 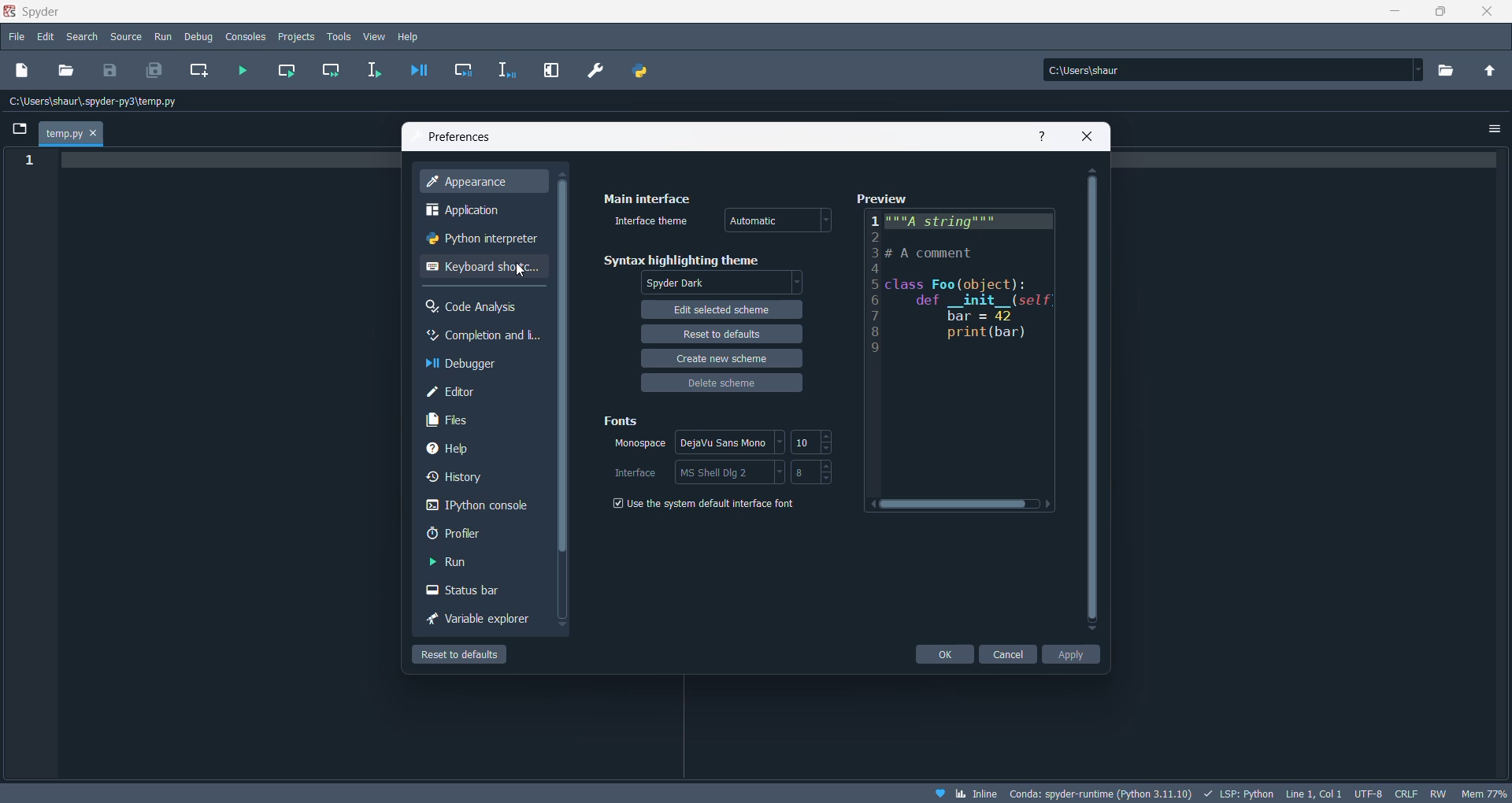 I want to click on script, so click(x=1236, y=792).